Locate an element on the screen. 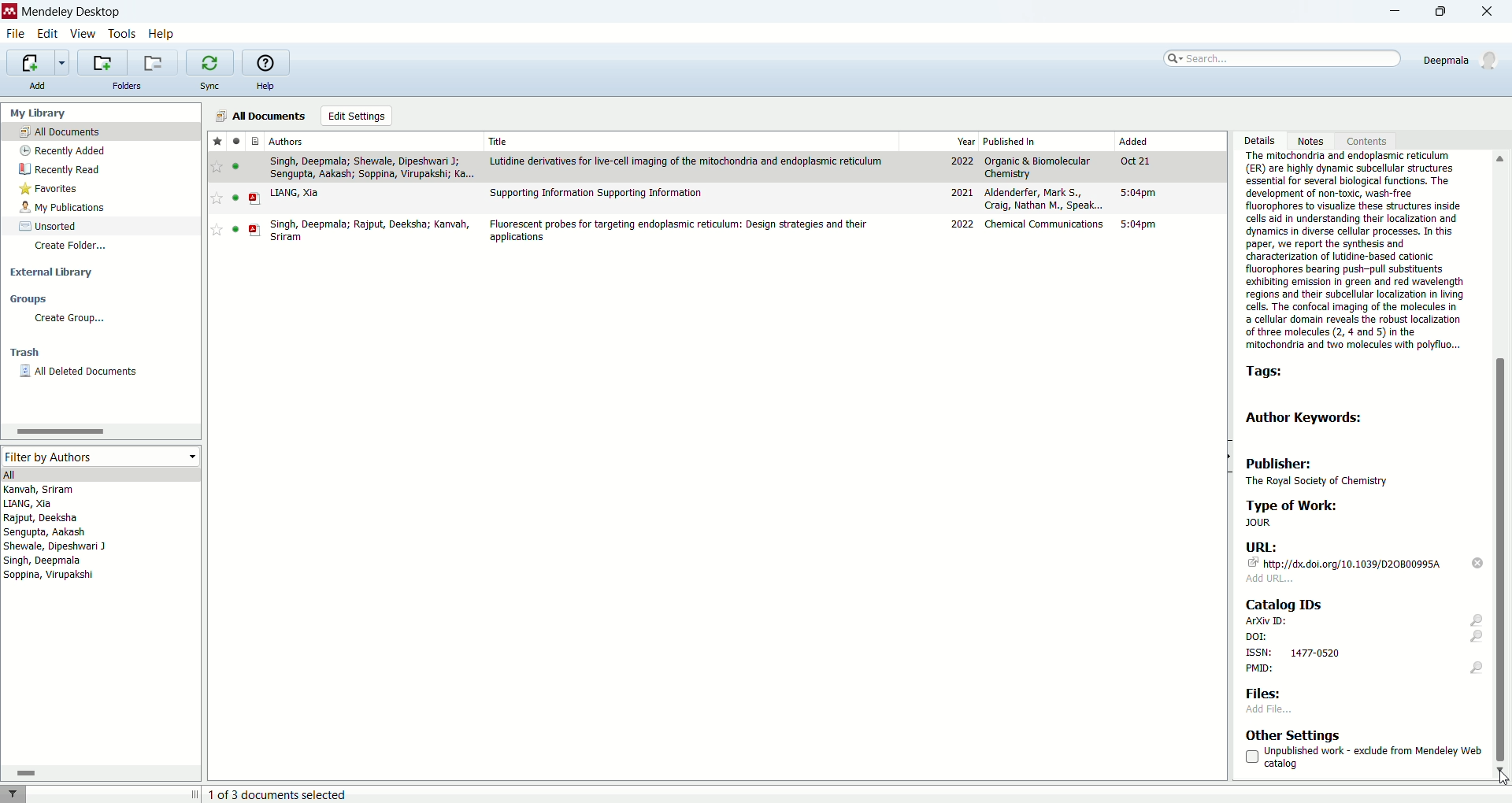  trash is located at coordinates (25, 353).